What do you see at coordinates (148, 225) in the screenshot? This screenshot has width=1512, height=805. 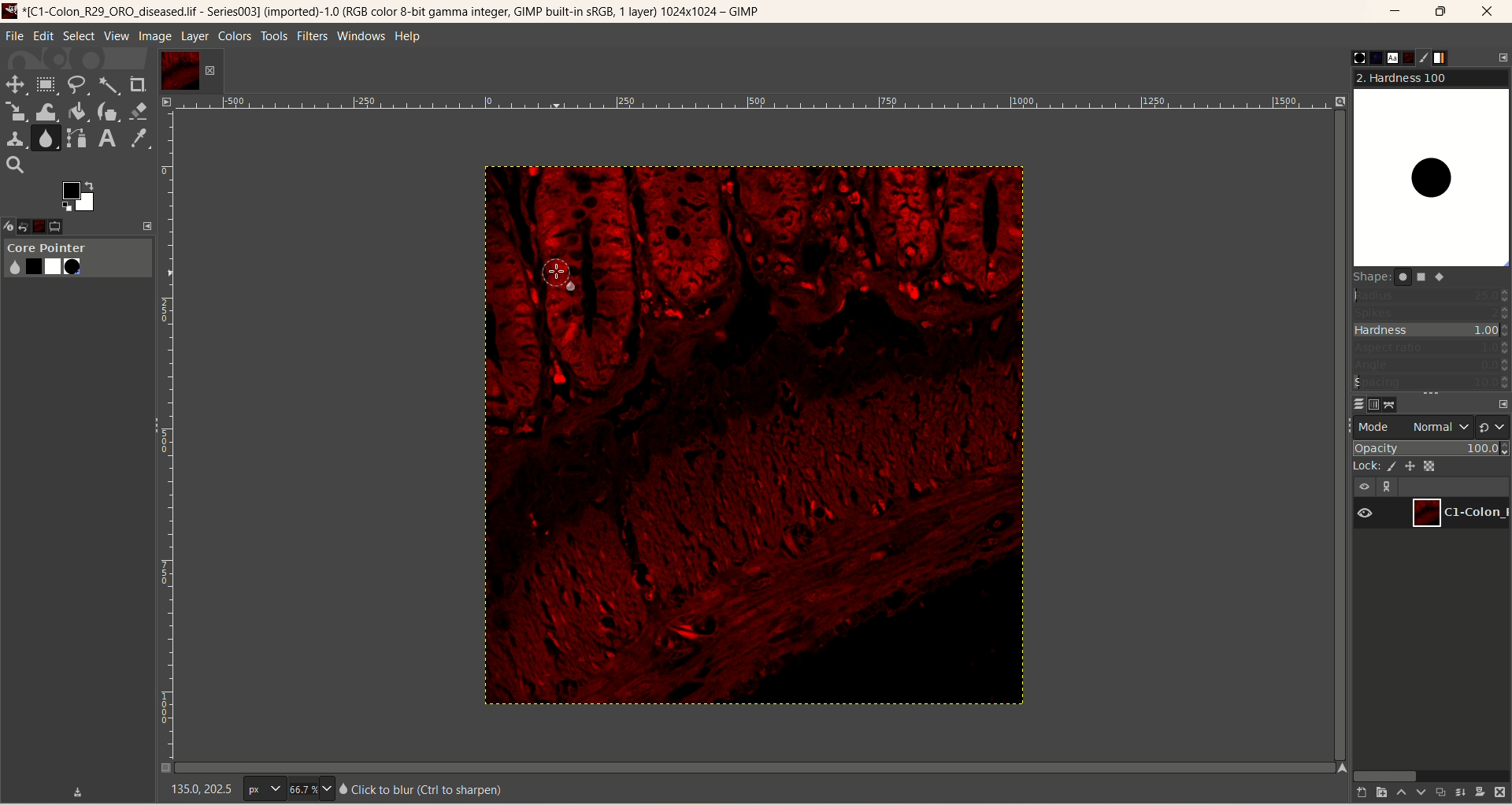 I see `expand` at bounding box center [148, 225].